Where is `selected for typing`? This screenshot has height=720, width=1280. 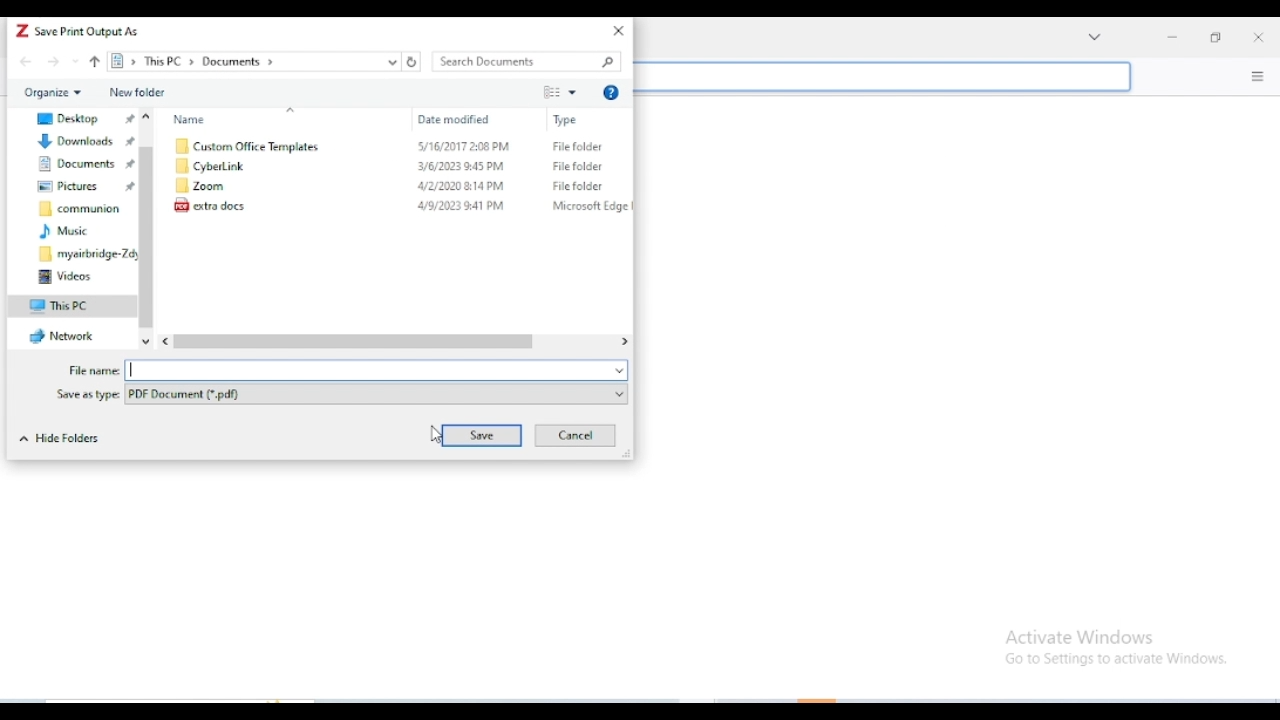 selected for typing is located at coordinates (378, 370).